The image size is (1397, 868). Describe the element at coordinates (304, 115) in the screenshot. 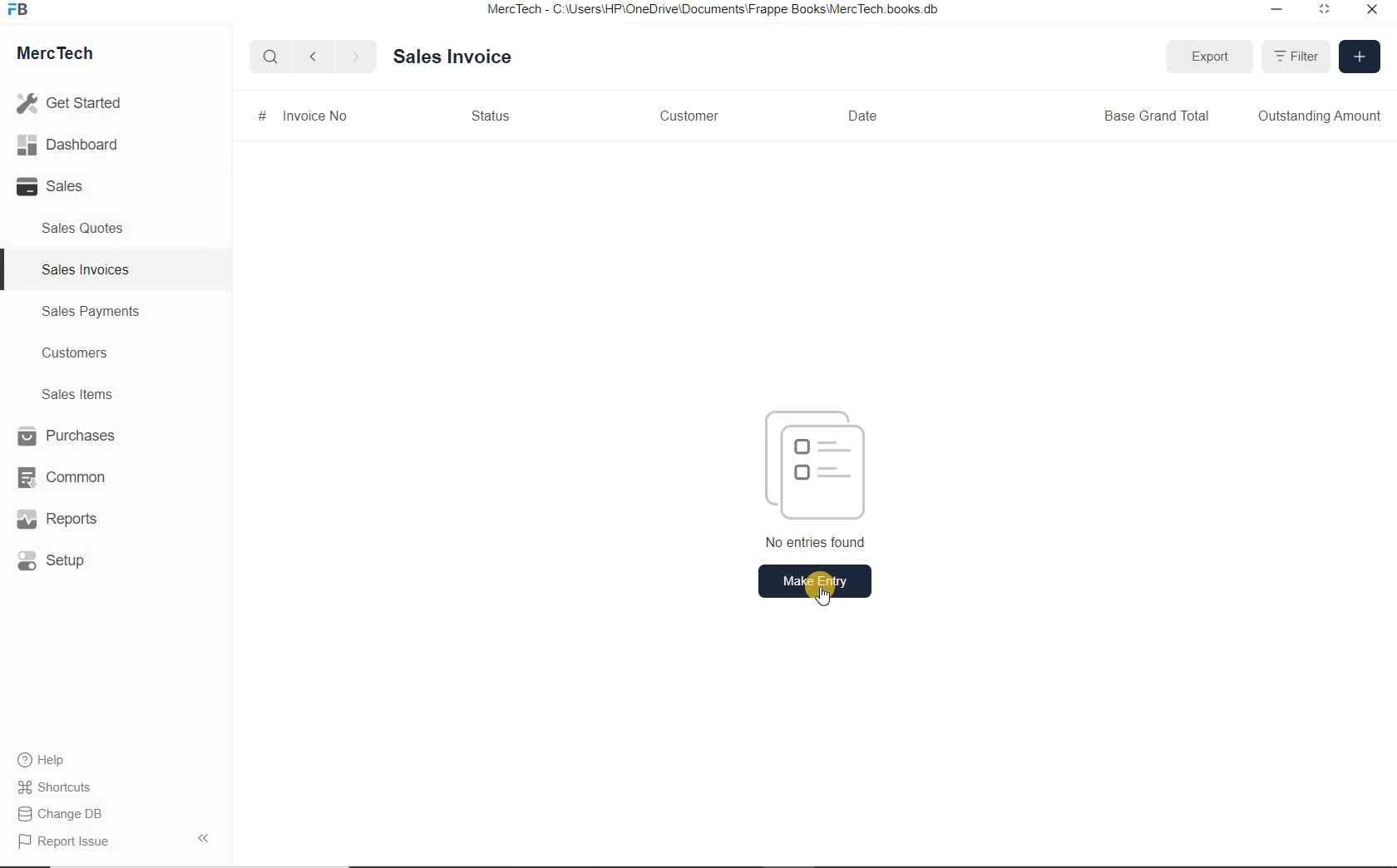

I see `# Invoice No` at that location.